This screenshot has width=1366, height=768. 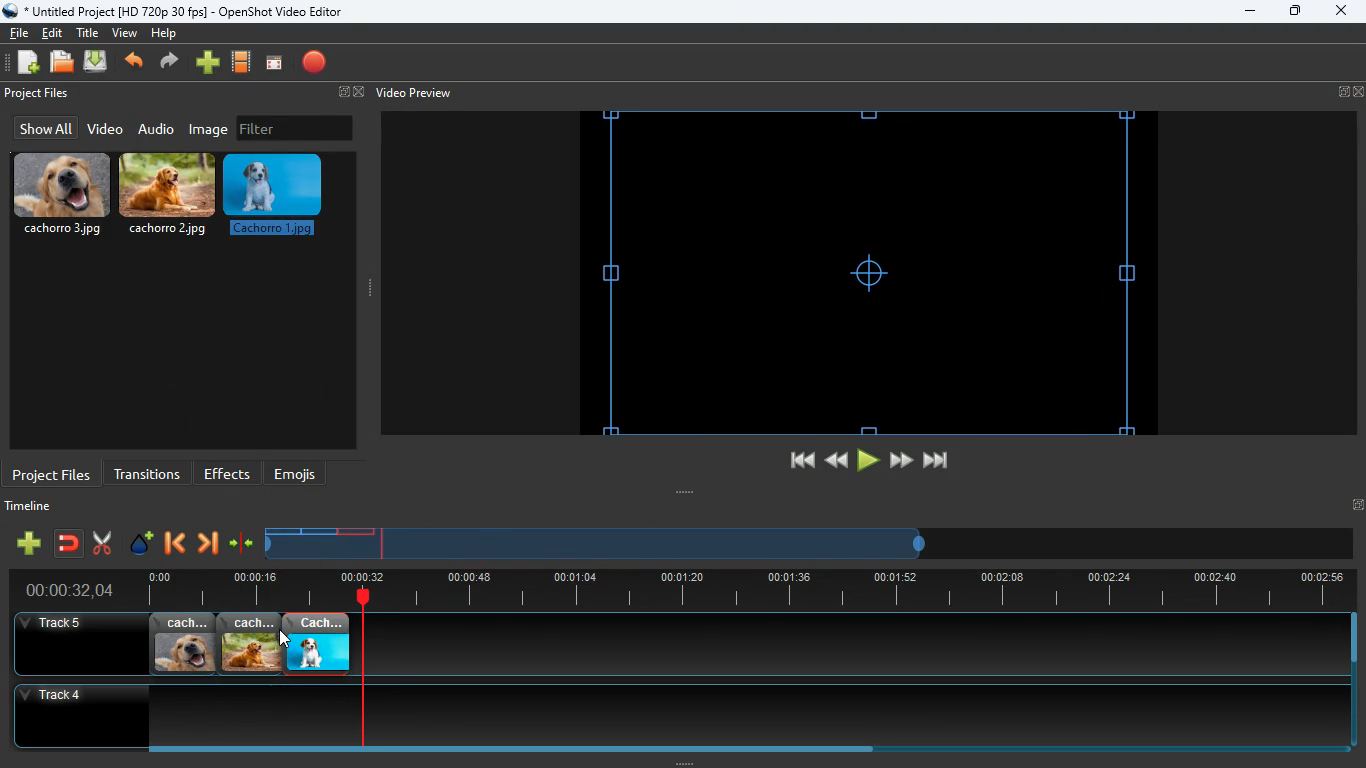 What do you see at coordinates (322, 531) in the screenshot?
I see `image 2 timeline` at bounding box center [322, 531].